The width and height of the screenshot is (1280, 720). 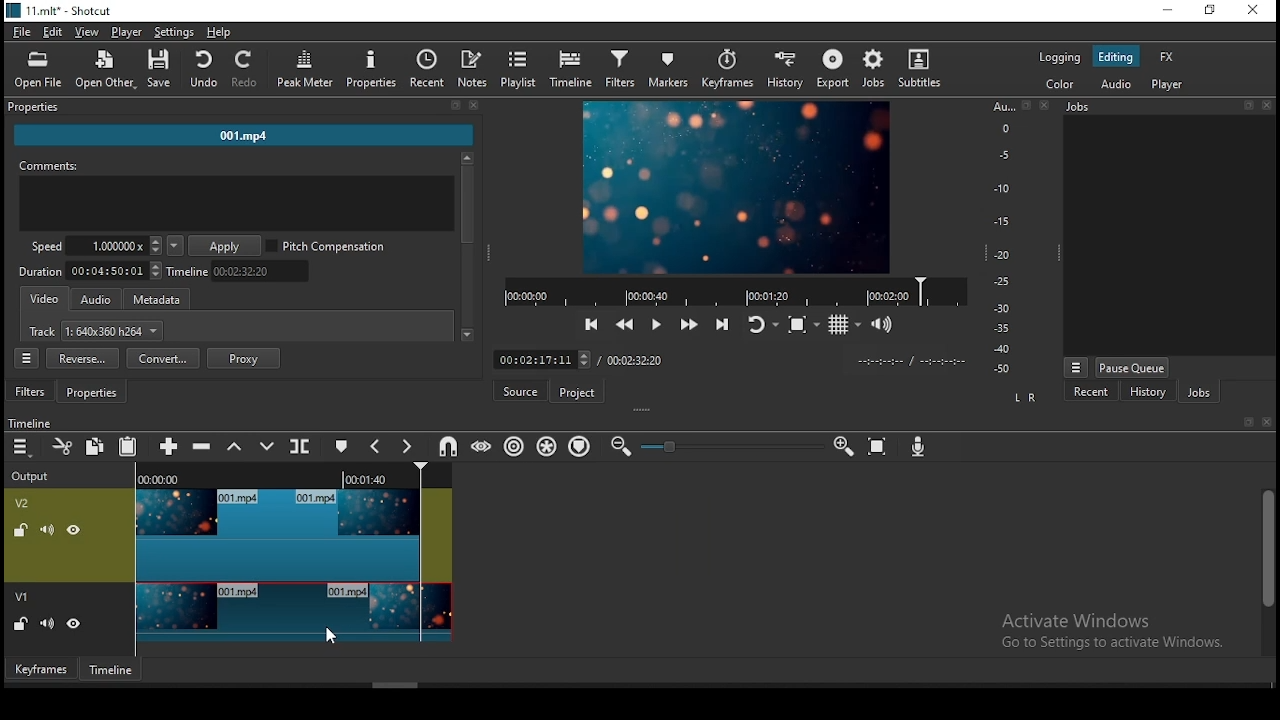 I want to click on editing, so click(x=1115, y=57).